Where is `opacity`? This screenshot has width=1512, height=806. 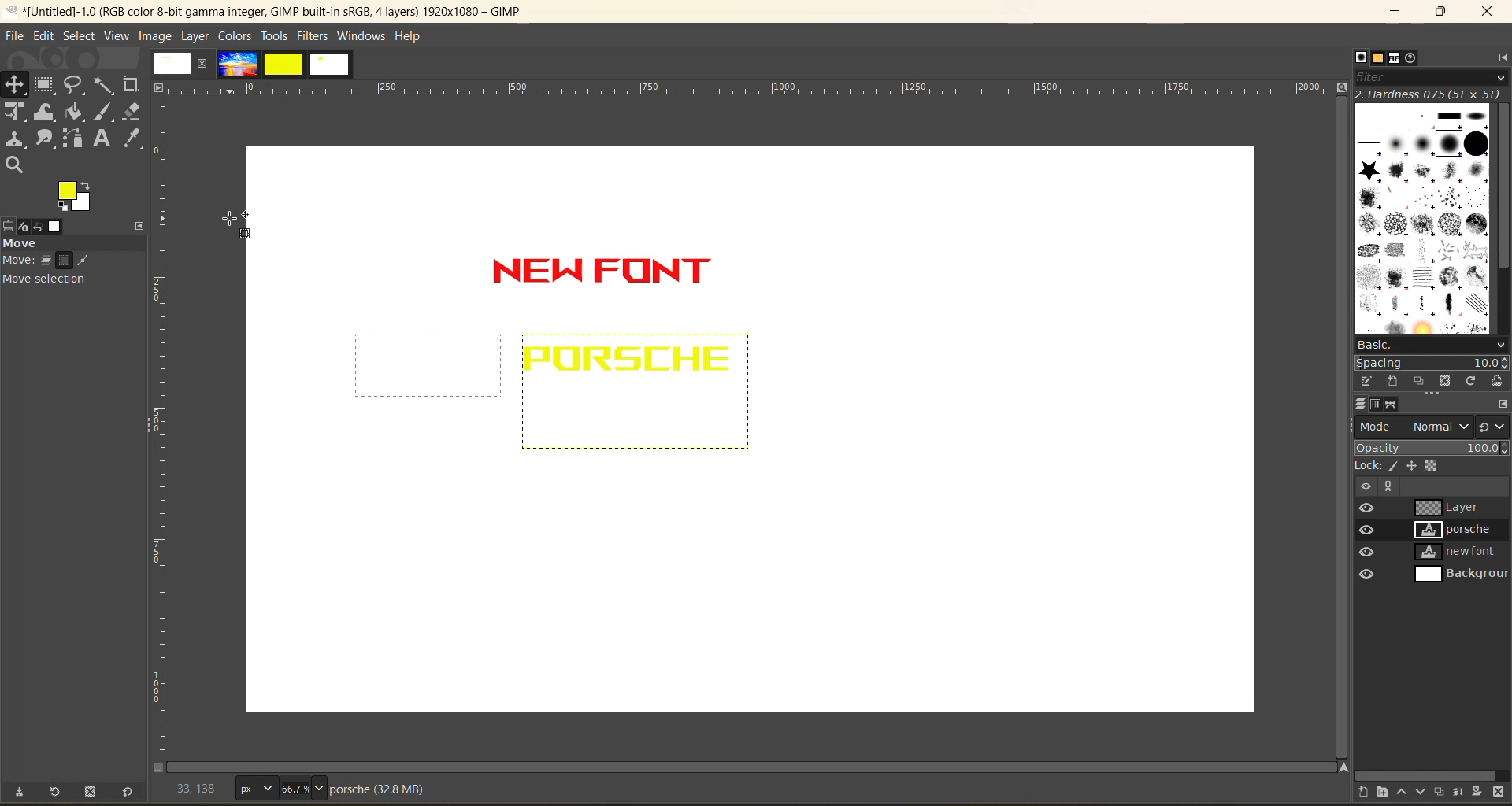 opacity is located at coordinates (1430, 447).